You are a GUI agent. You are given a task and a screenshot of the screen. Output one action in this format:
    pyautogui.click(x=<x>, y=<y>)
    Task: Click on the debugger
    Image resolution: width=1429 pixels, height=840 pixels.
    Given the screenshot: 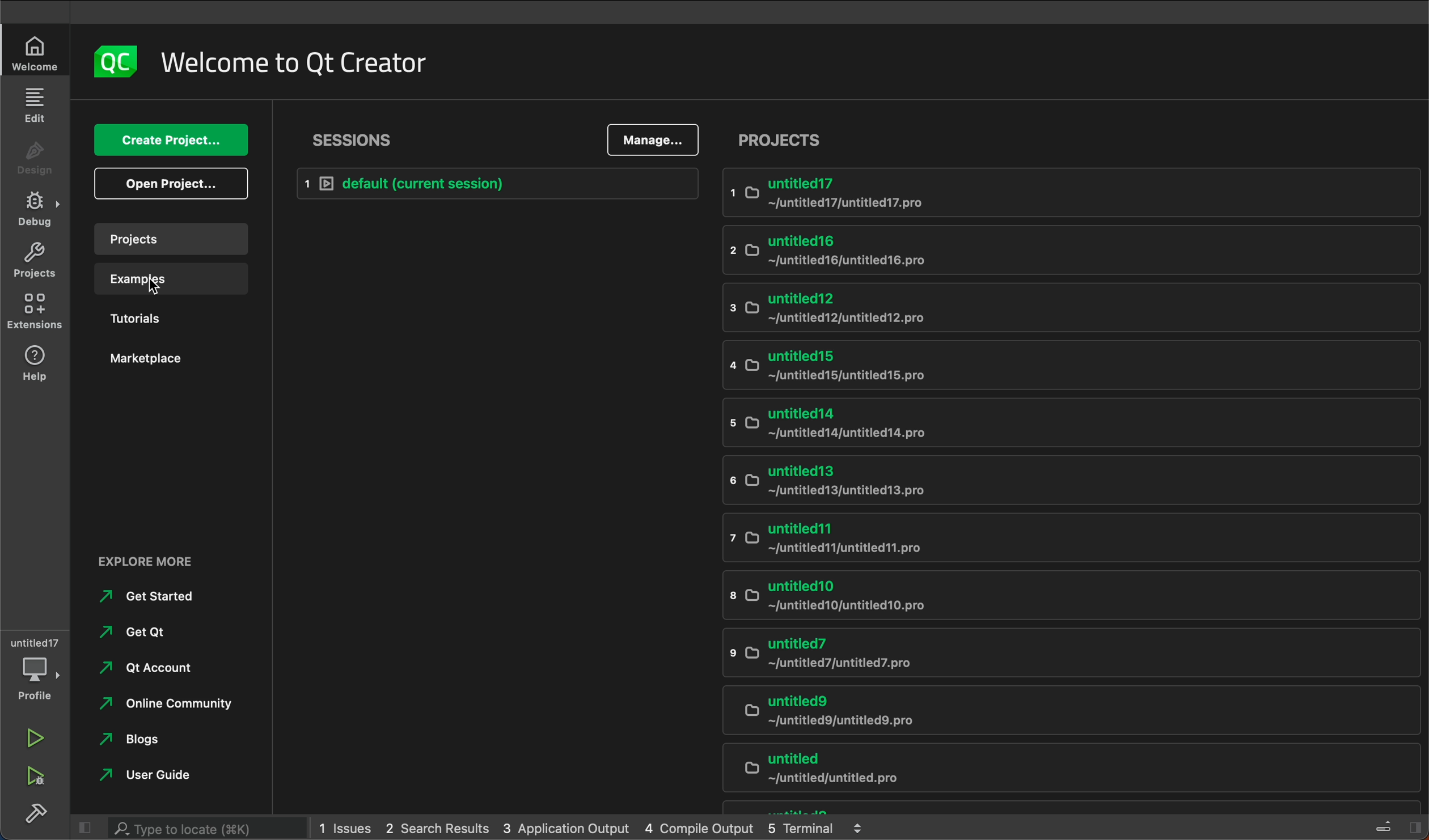 What is the action you would take?
    pyautogui.click(x=37, y=668)
    